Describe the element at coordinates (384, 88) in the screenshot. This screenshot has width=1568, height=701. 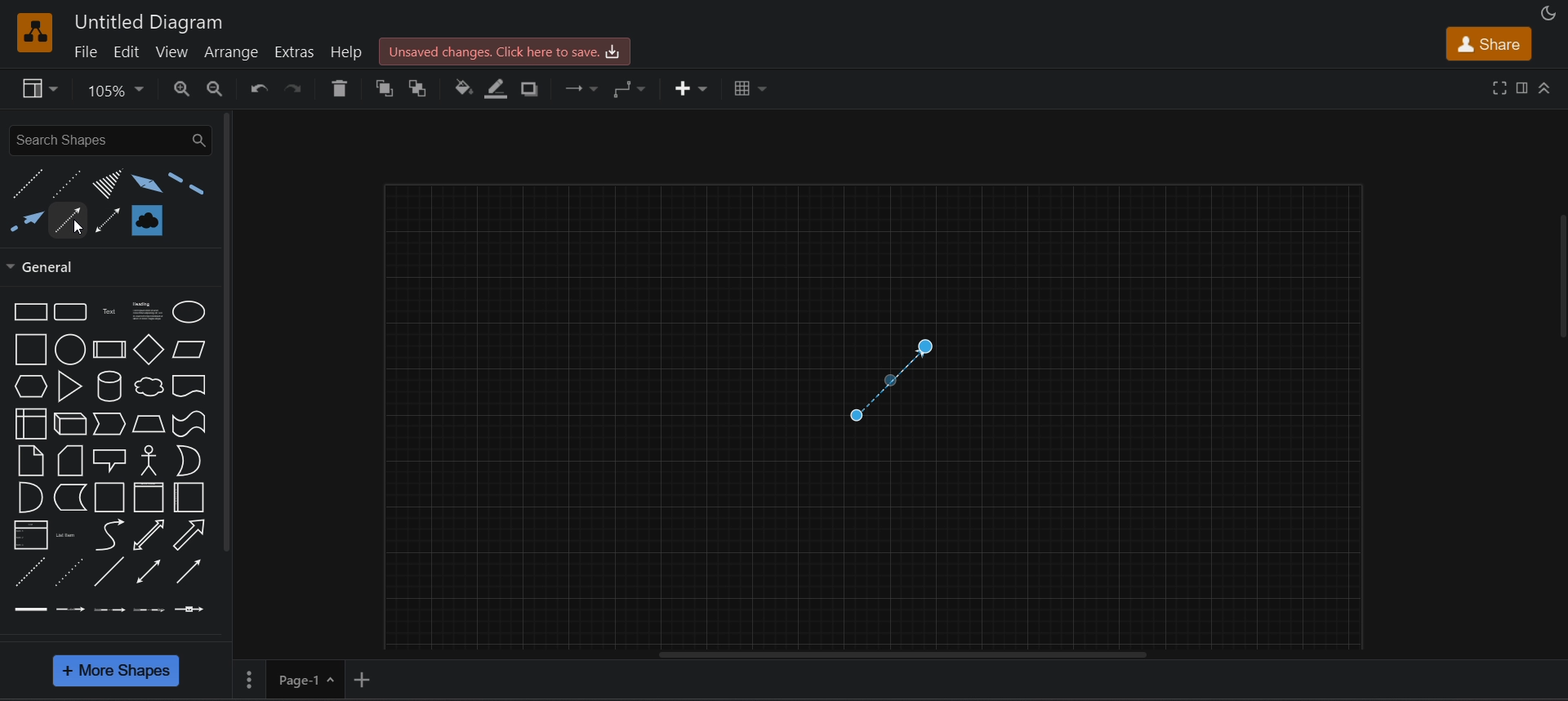
I see `to front` at that location.